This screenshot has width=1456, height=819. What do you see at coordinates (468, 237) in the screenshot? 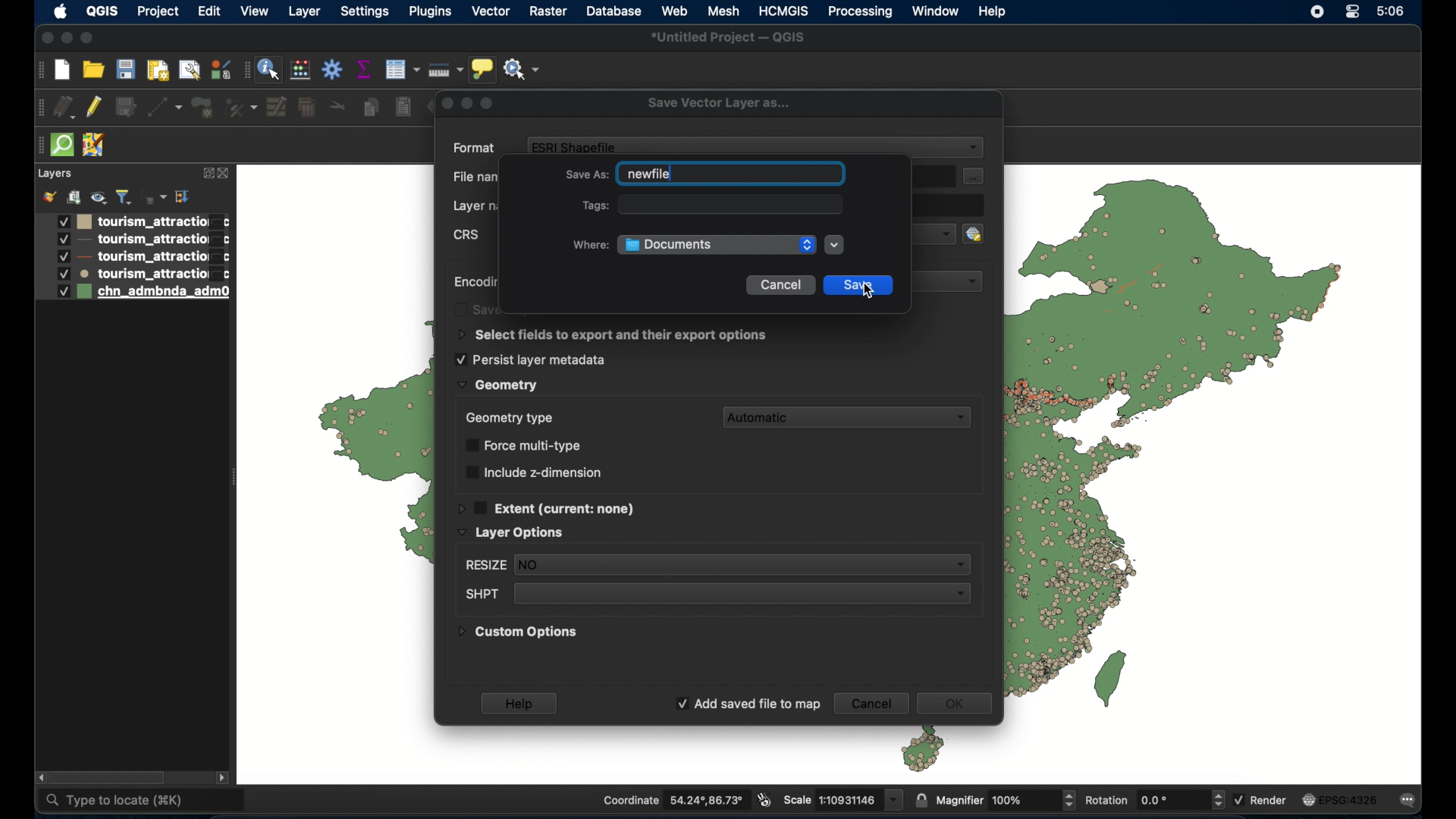
I see `crs` at bounding box center [468, 237].